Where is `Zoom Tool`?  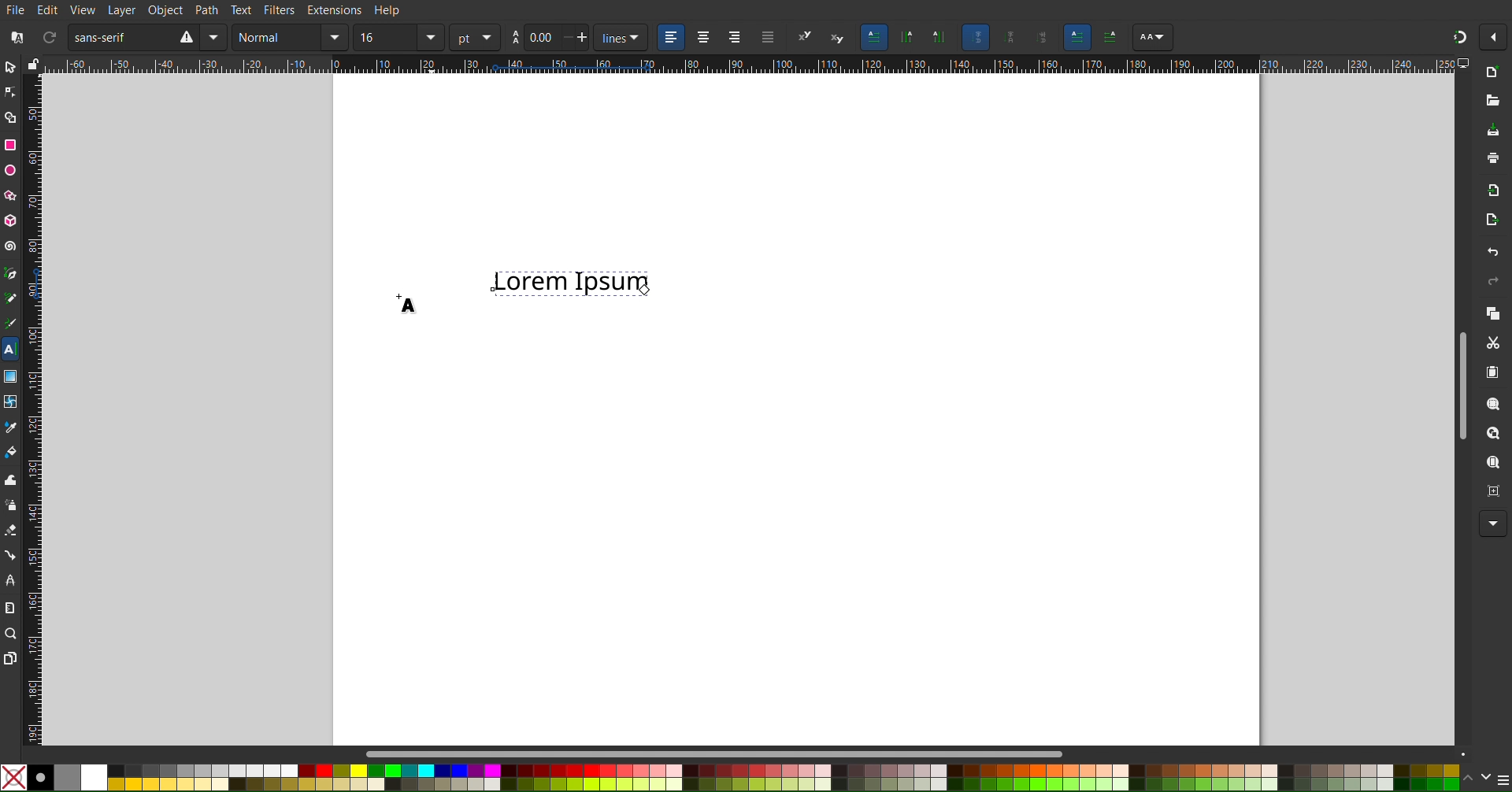
Zoom Tool is located at coordinates (10, 633).